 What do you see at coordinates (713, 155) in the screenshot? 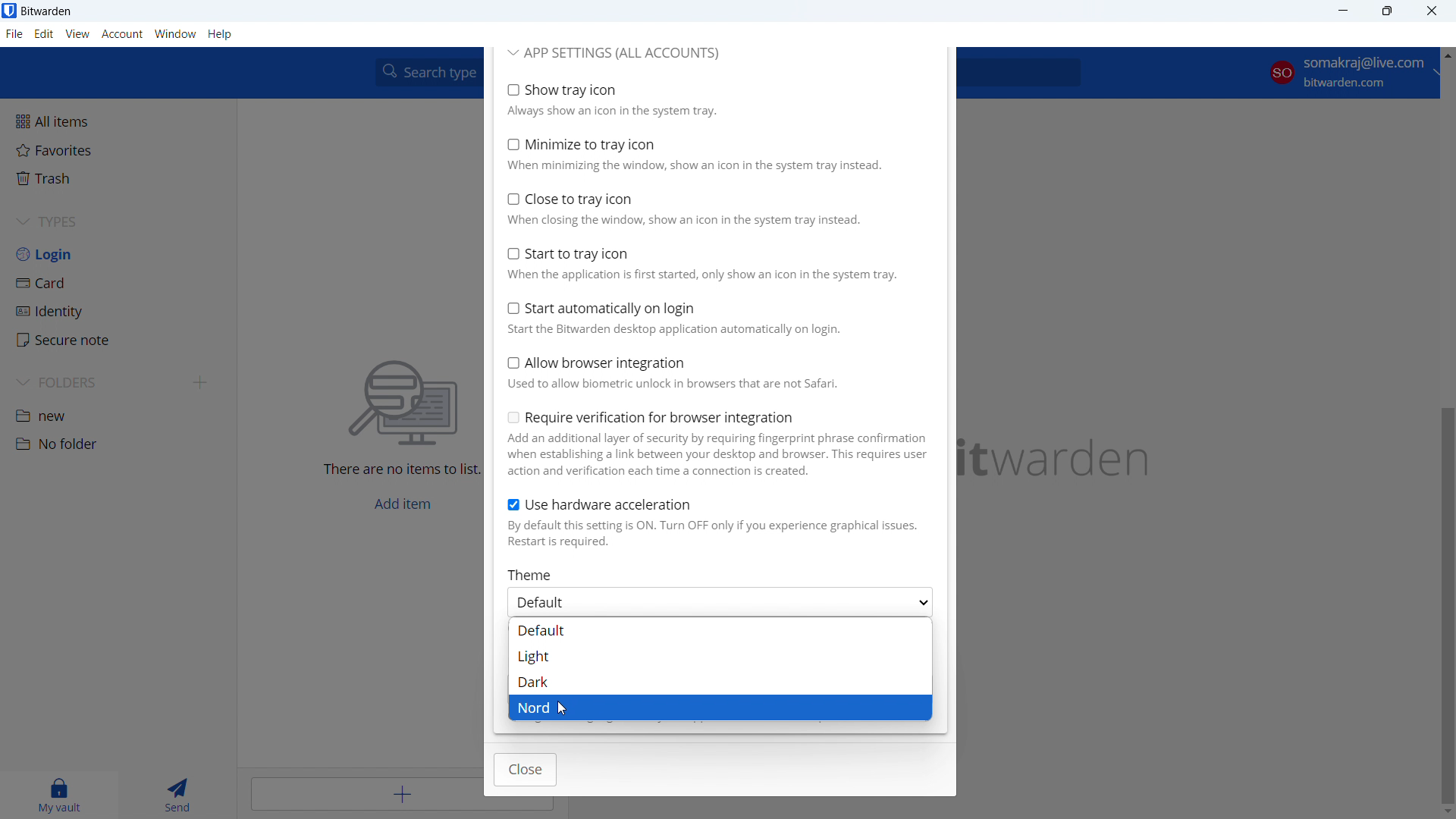
I see `minimize to tray icon` at bounding box center [713, 155].